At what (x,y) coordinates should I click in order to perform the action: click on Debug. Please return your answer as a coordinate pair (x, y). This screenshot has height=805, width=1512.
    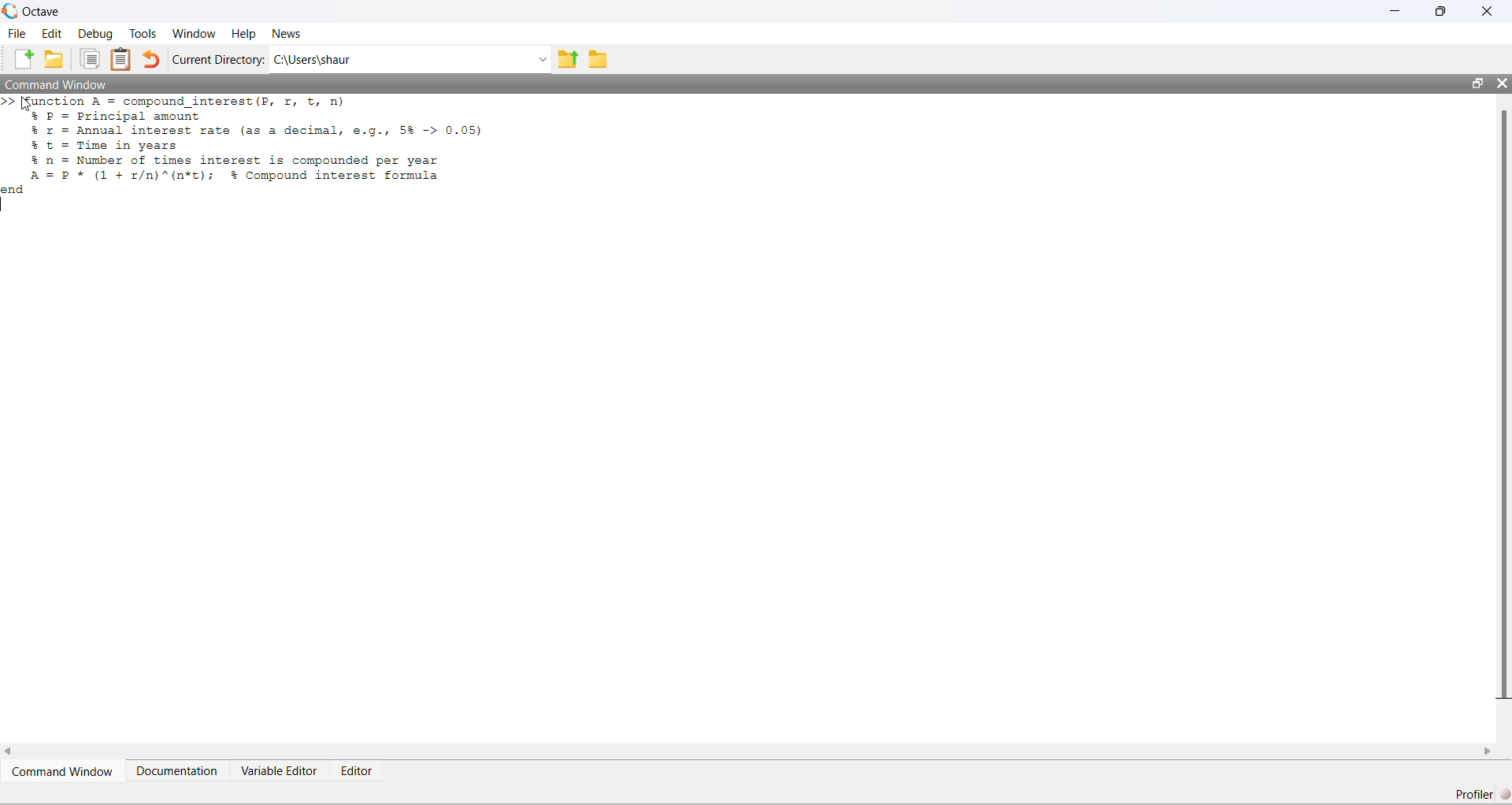
    Looking at the image, I should click on (95, 34).